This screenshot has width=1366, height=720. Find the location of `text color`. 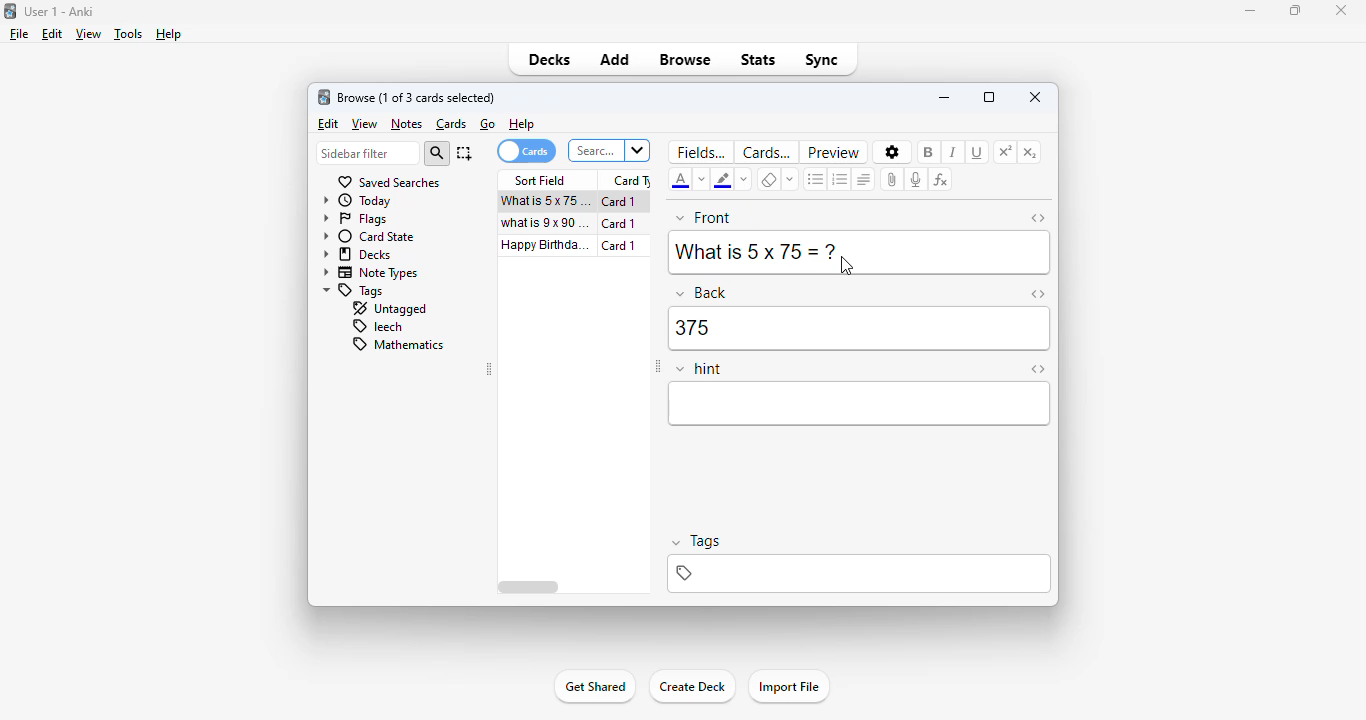

text color is located at coordinates (680, 181).